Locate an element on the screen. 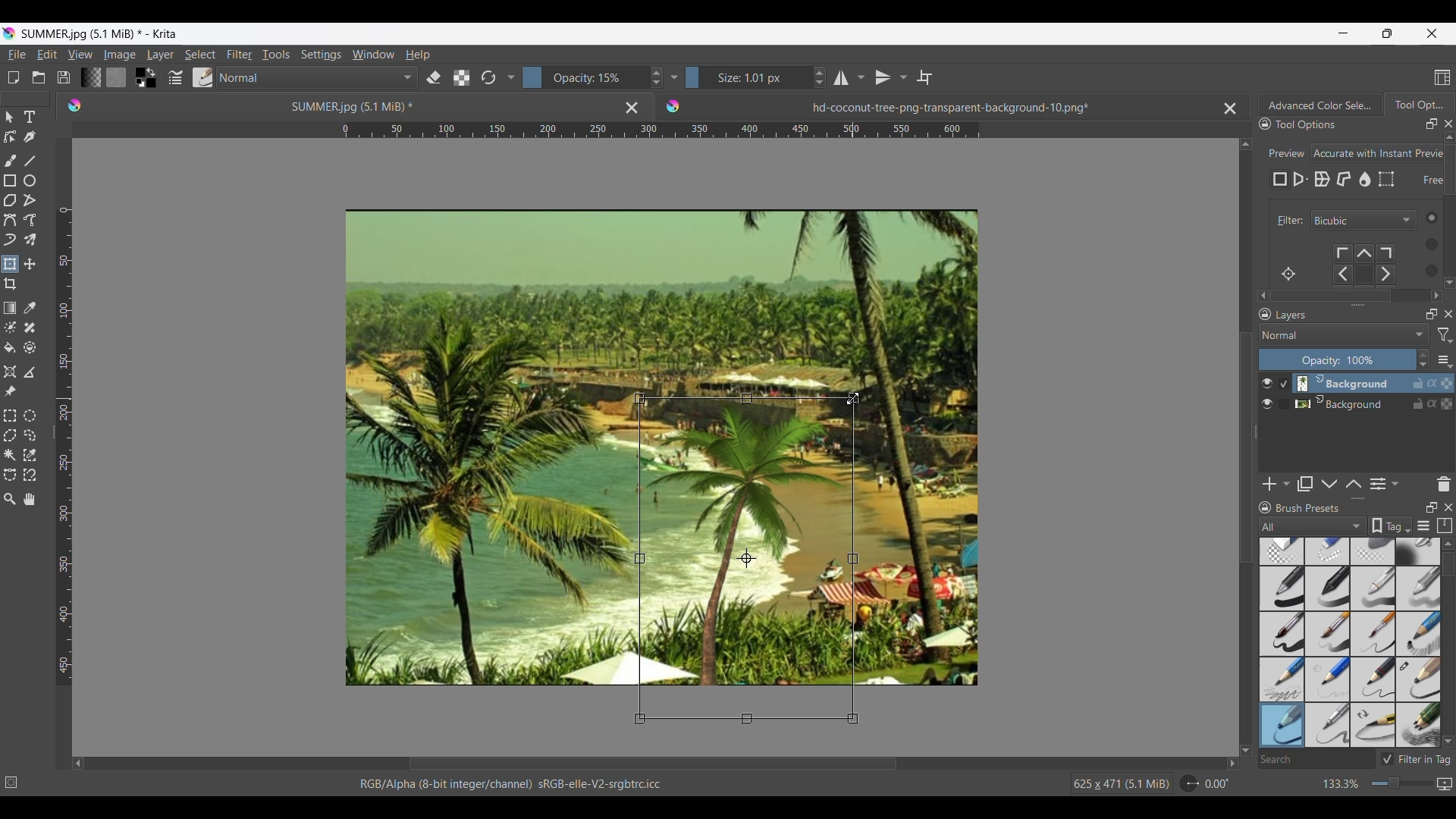 The height and width of the screenshot is (819, 1456). ink pen is located at coordinates (1419, 727).